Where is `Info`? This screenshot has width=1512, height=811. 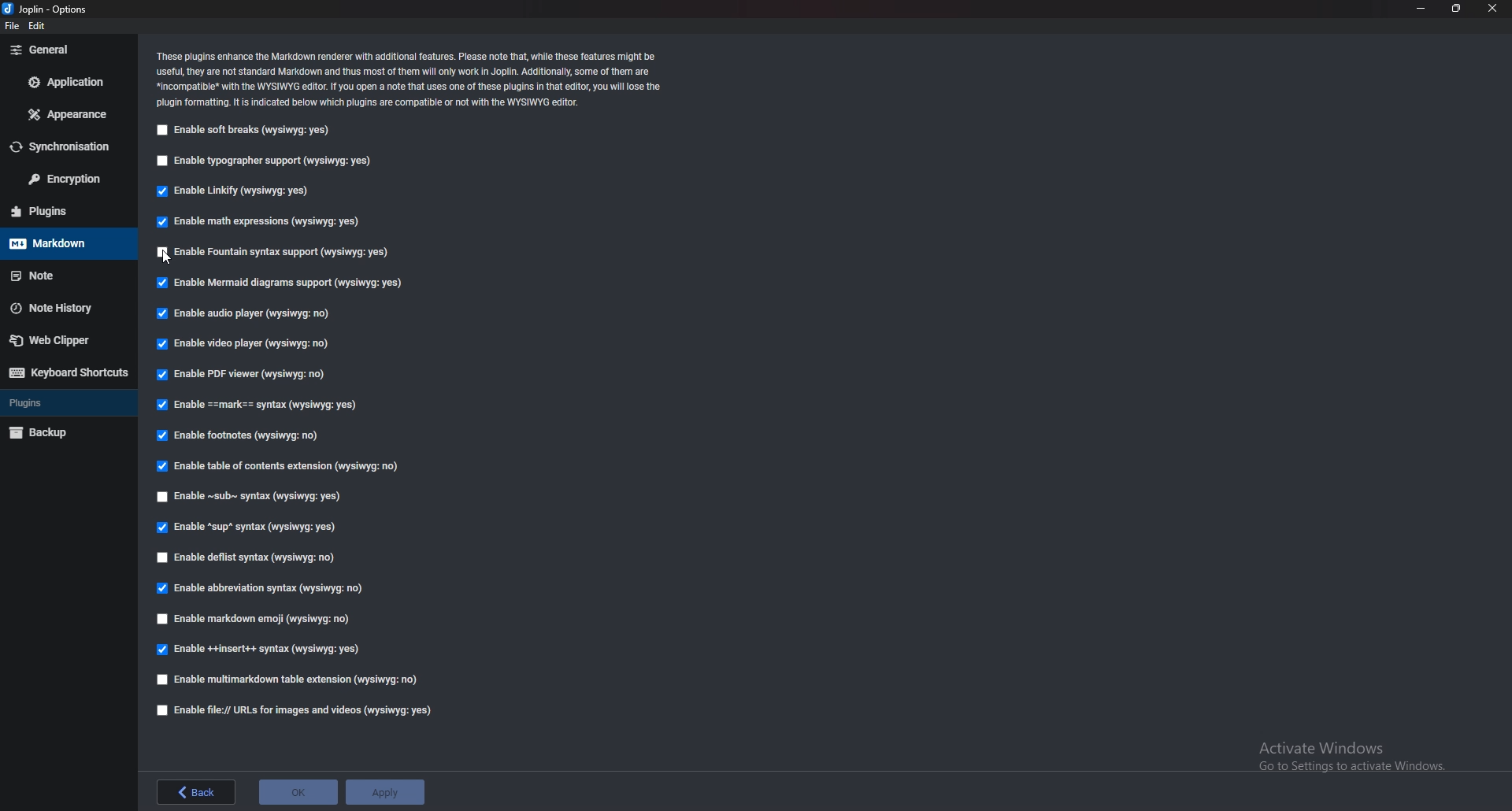 Info is located at coordinates (411, 79).